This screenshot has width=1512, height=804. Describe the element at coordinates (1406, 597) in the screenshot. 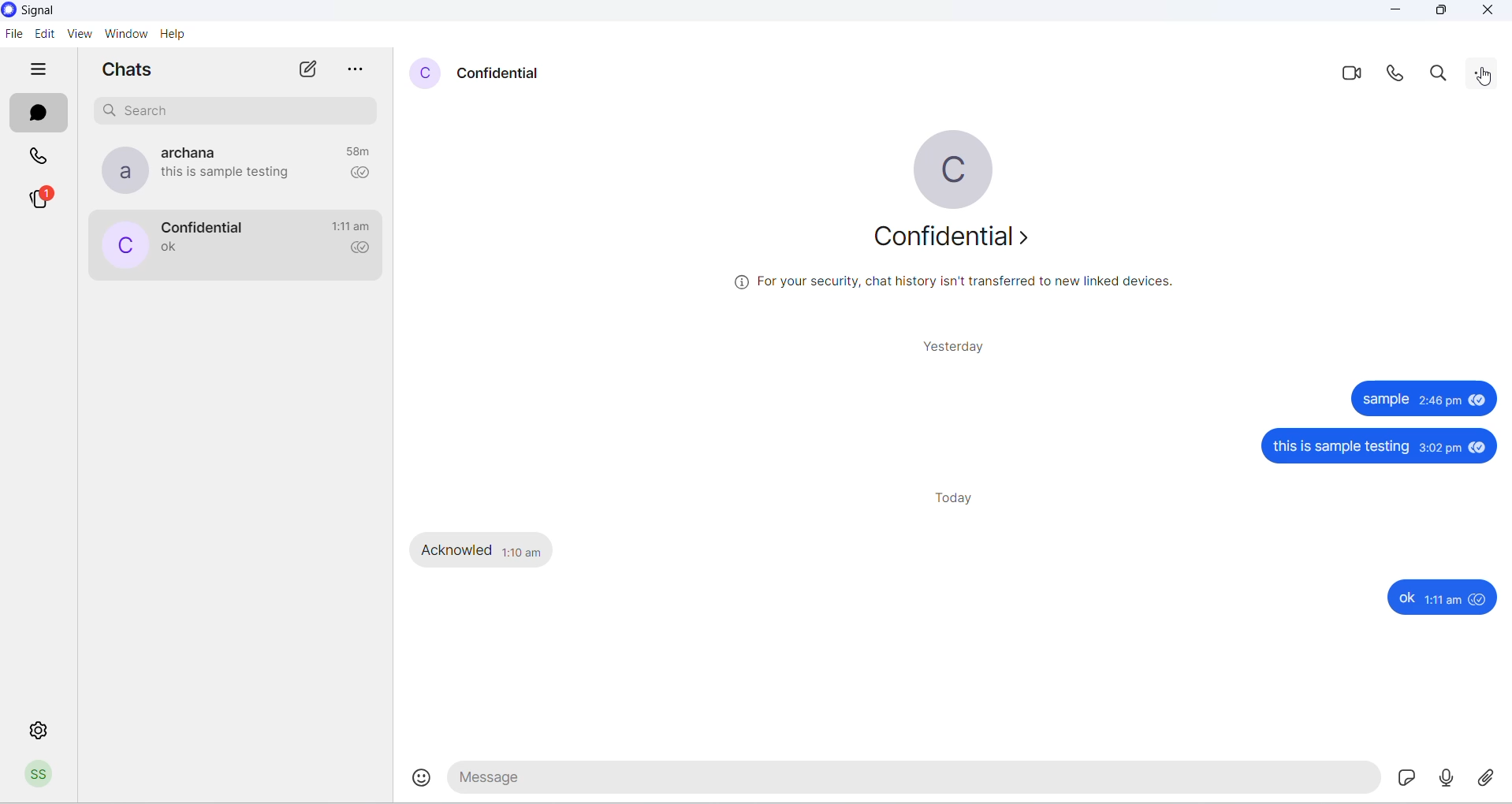

I see `ok` at that location.